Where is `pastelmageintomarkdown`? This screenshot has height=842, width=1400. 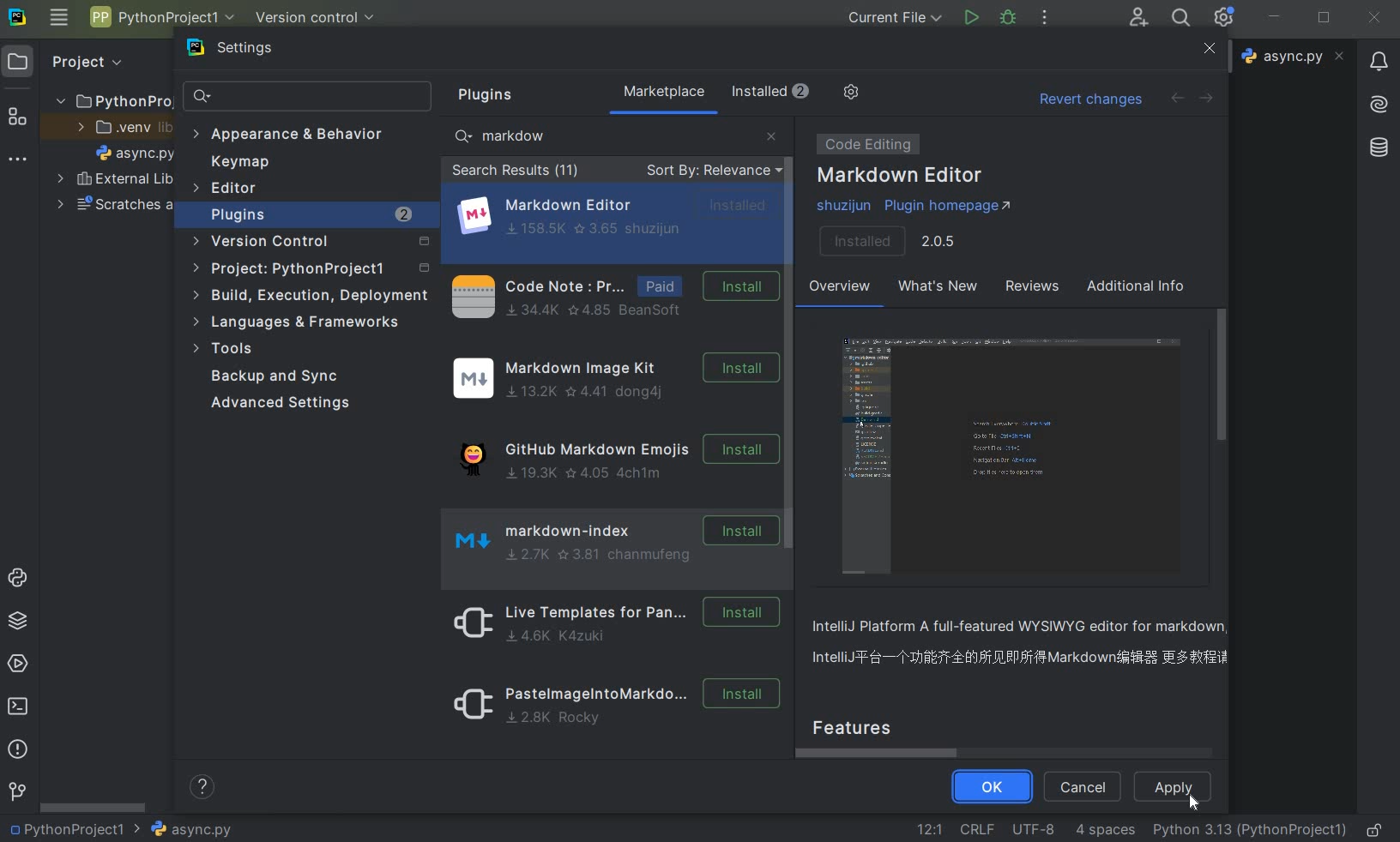 pastelmageintomarkdown is located at coordinates (611, 707).